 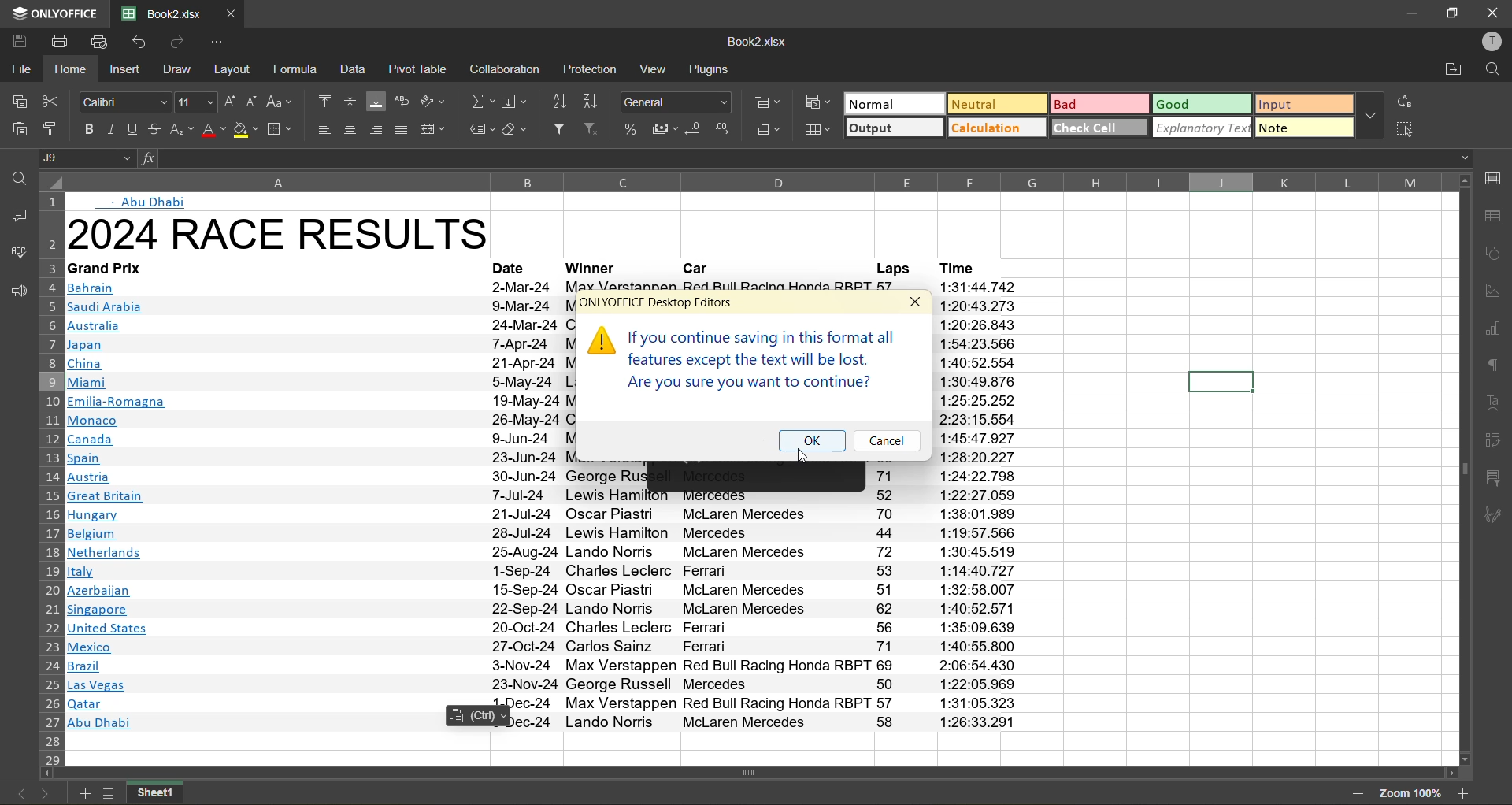 What do you see at coordinates (1494, 257) in the screenshot?
I see `shapes` at bounding box center [1494, 257].